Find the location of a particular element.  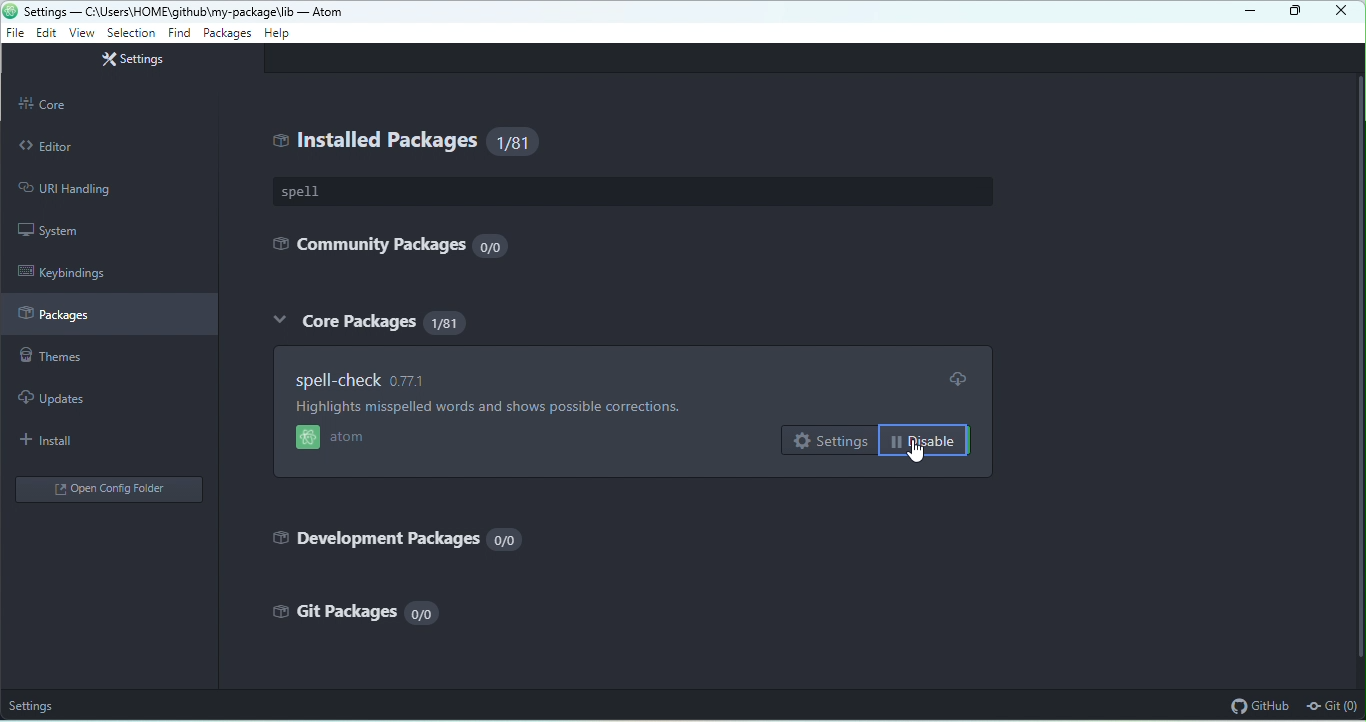

development packages is located at coordinates (372, 540).